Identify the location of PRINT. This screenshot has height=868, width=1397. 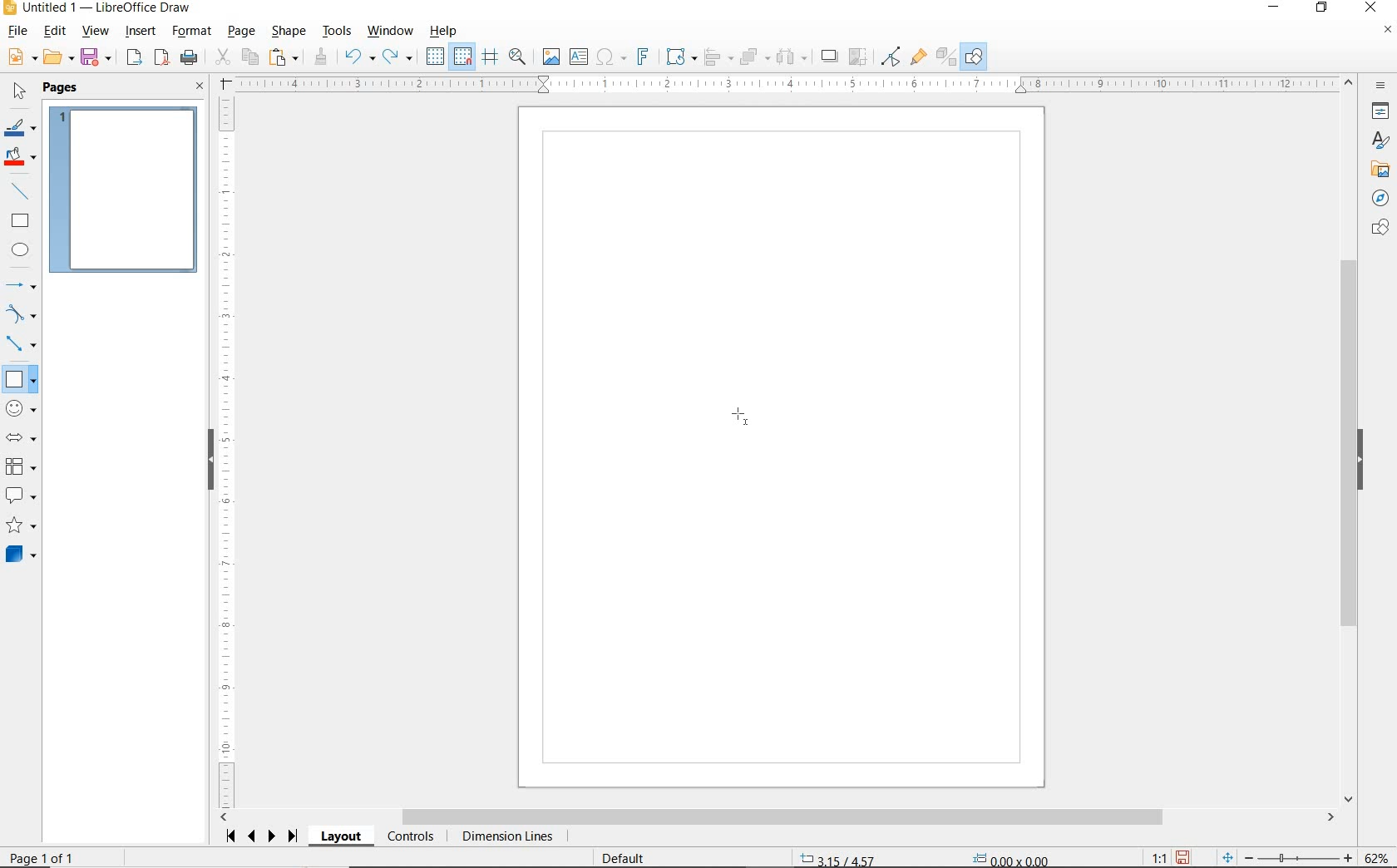
(190, 60).